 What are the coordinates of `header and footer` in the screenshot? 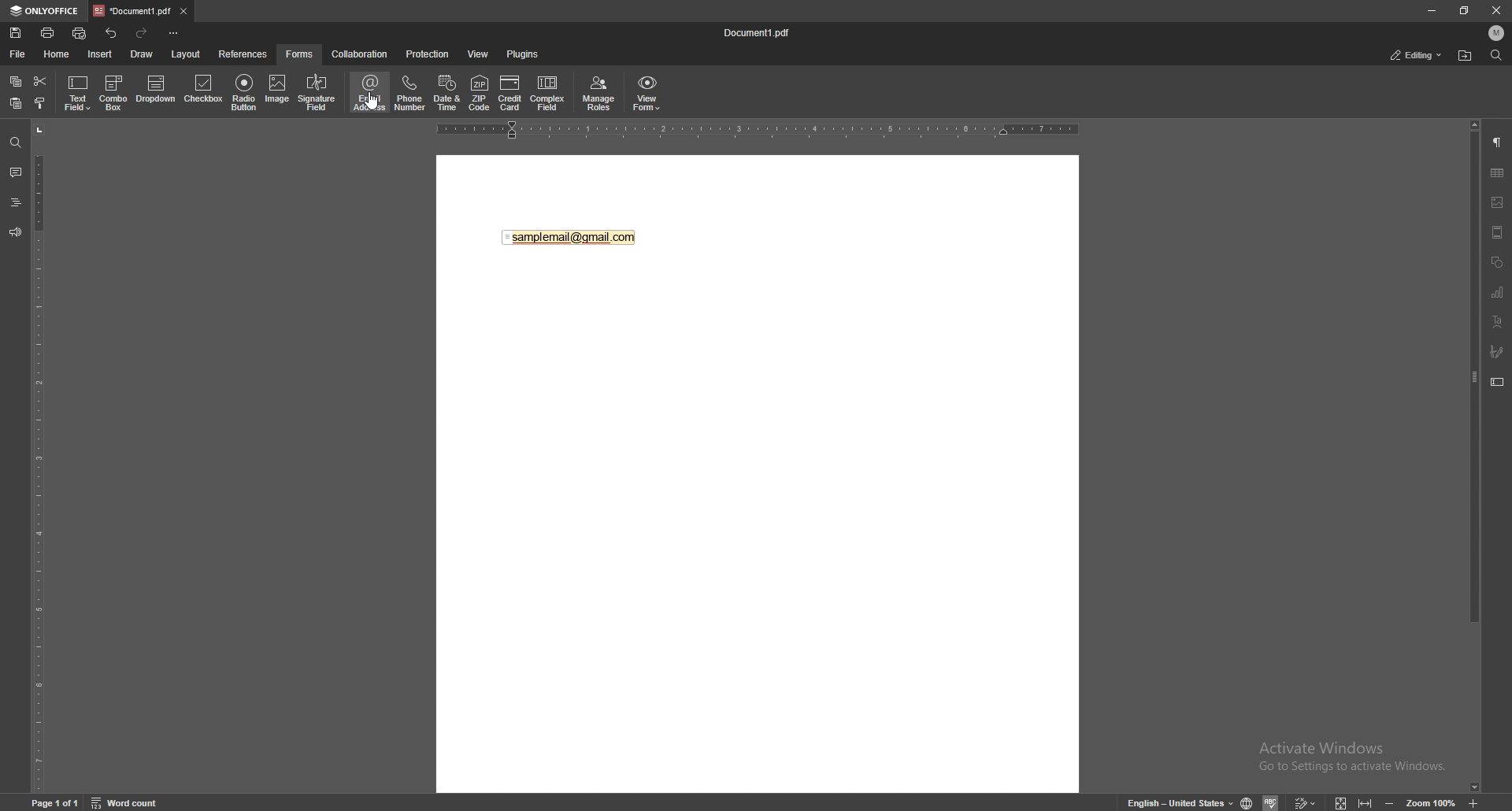 It's located at (1498, 231).